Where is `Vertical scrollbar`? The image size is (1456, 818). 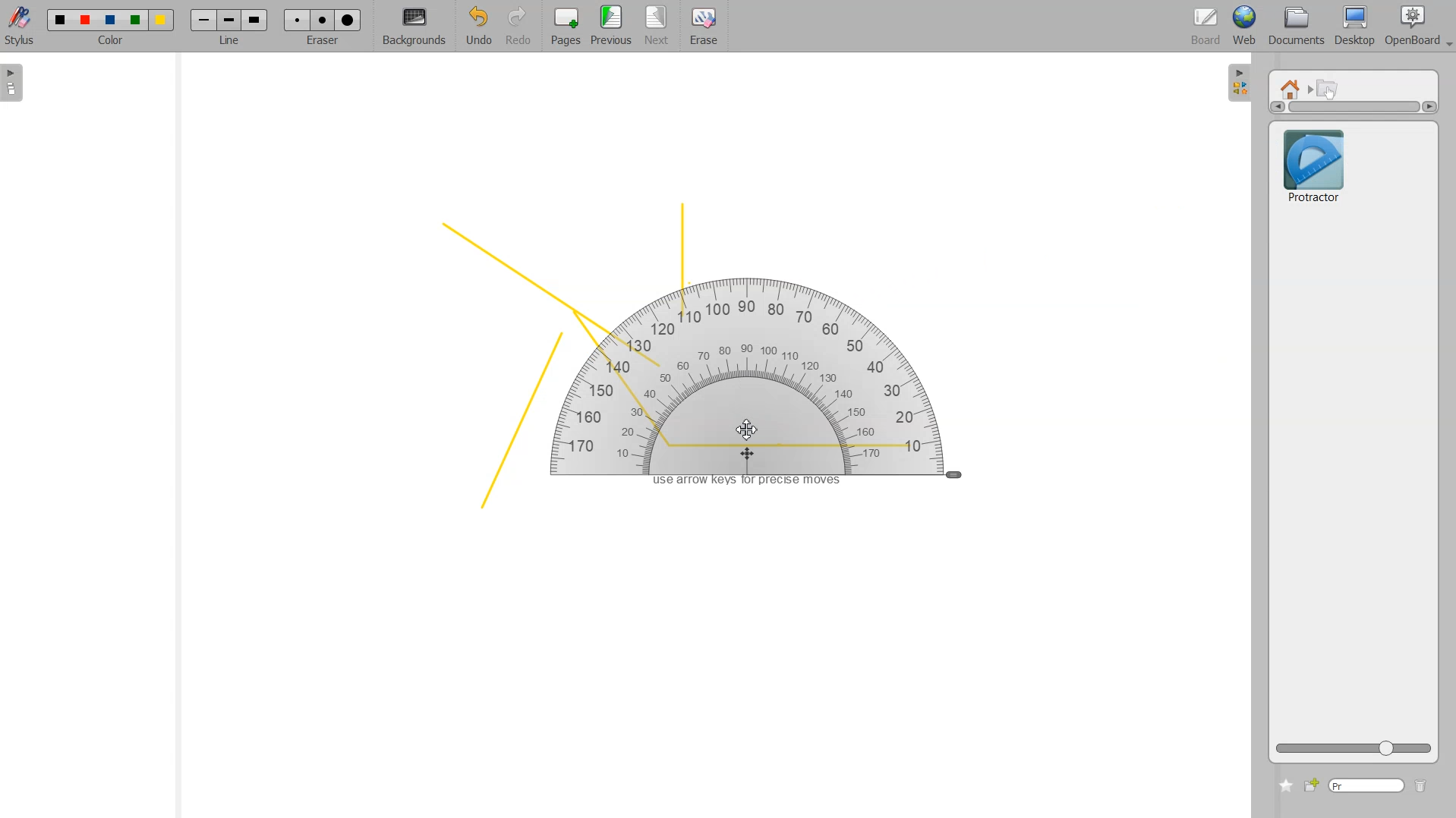
Vertical scrollbar is located at coordinates (1354, 107).